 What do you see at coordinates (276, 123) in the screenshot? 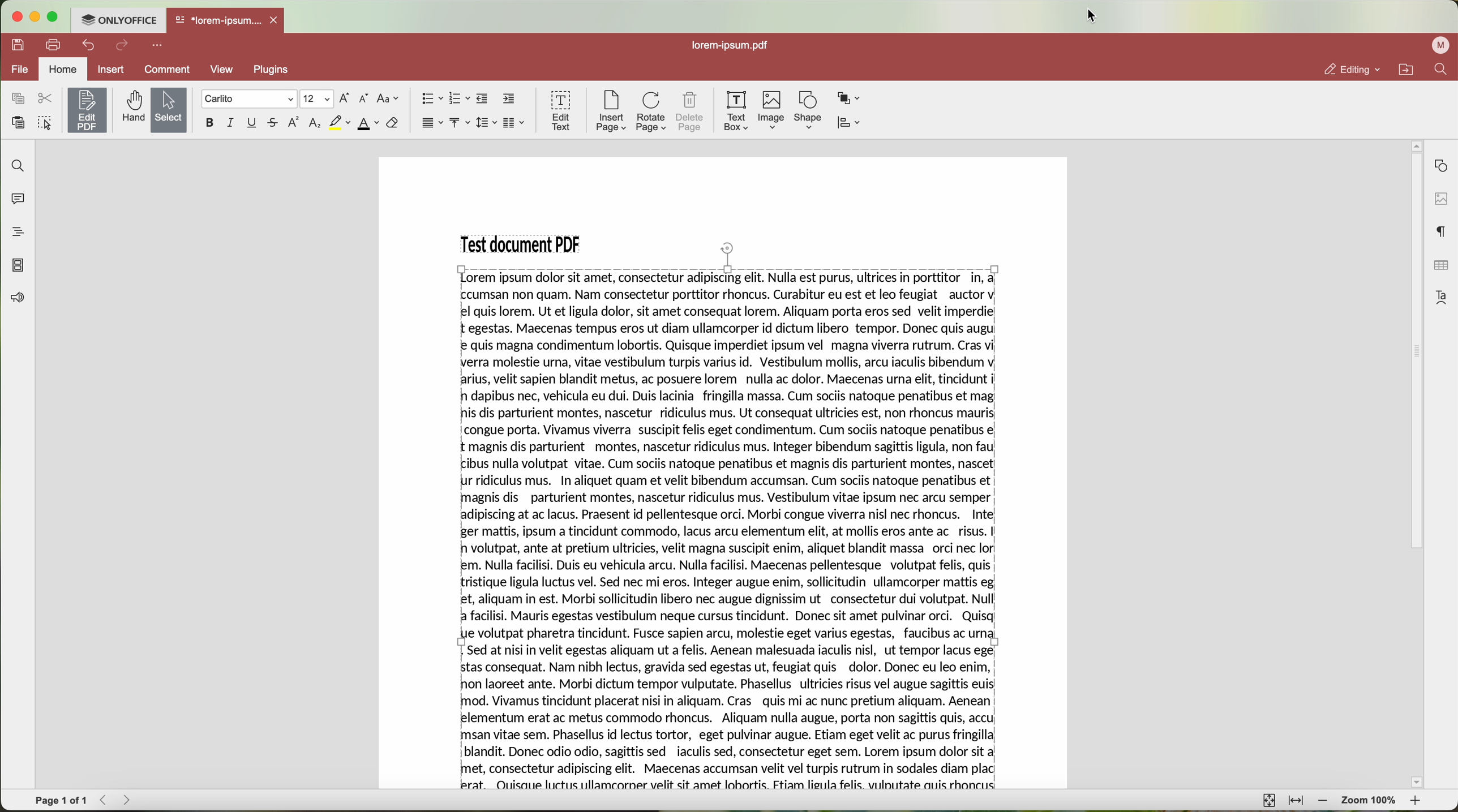
I see `strike out` at bounding box center [276, 123].